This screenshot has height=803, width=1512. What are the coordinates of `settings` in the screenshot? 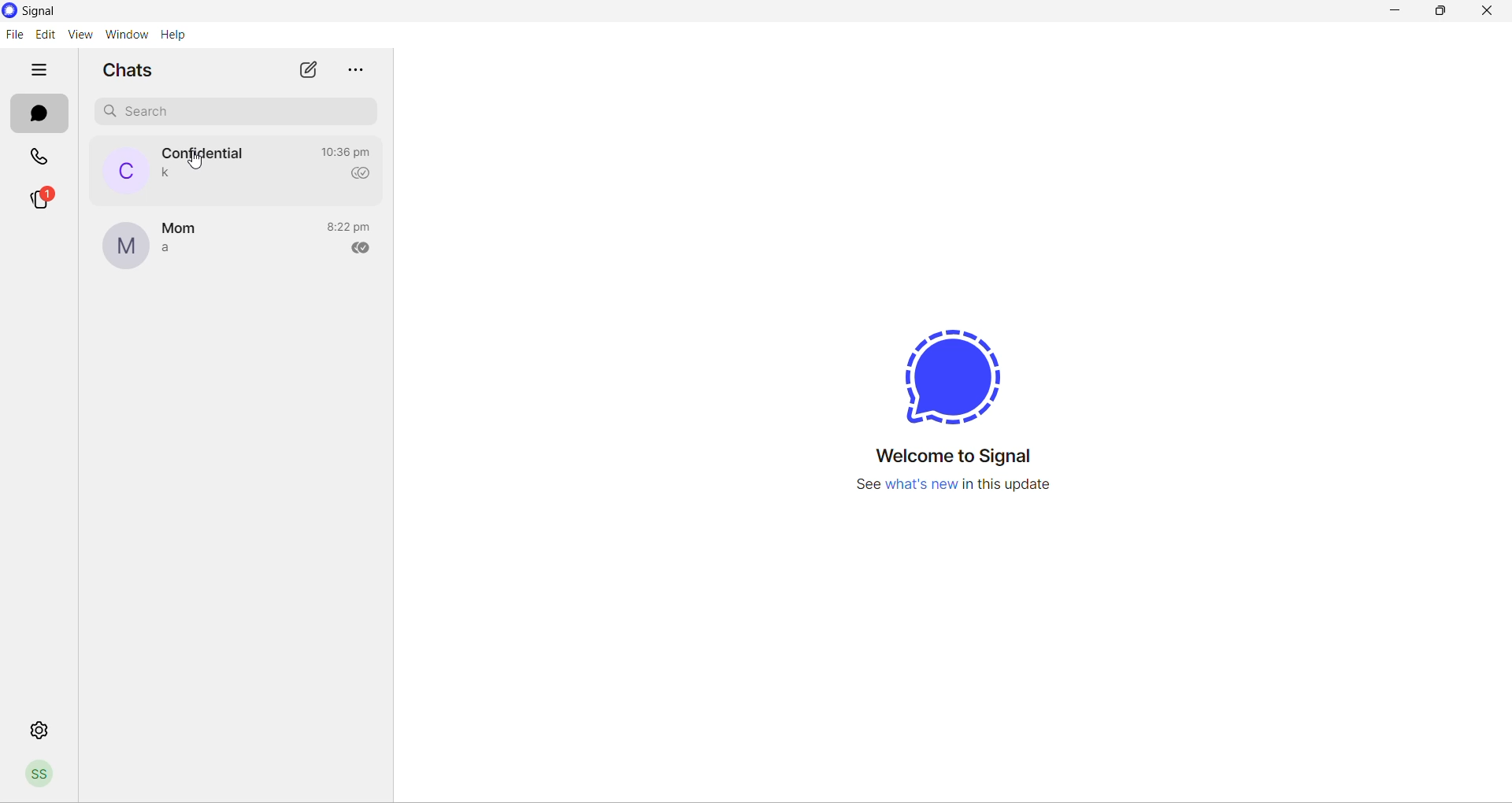 It's located at (42, 727).